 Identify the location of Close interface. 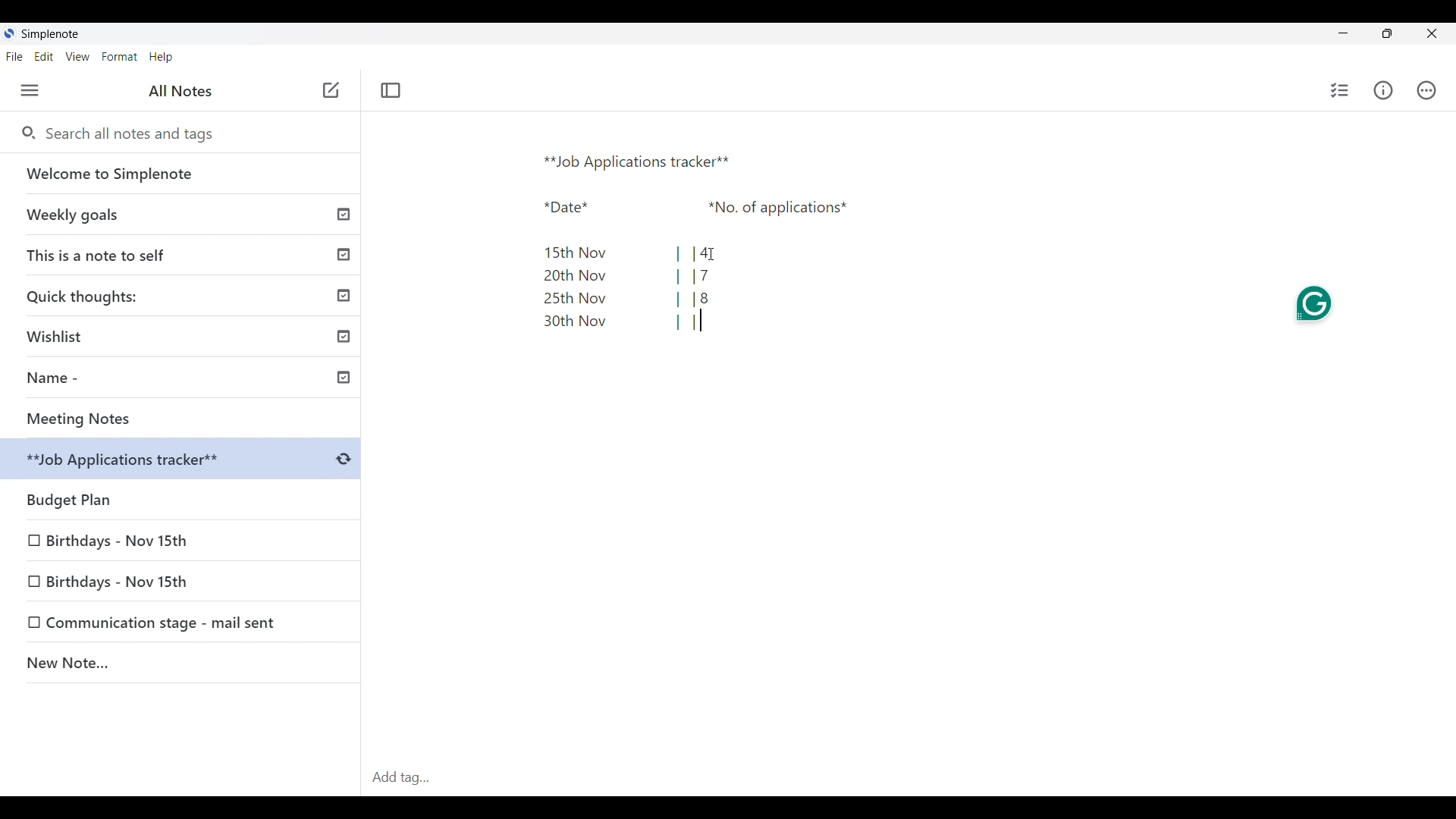
(1432, 33).